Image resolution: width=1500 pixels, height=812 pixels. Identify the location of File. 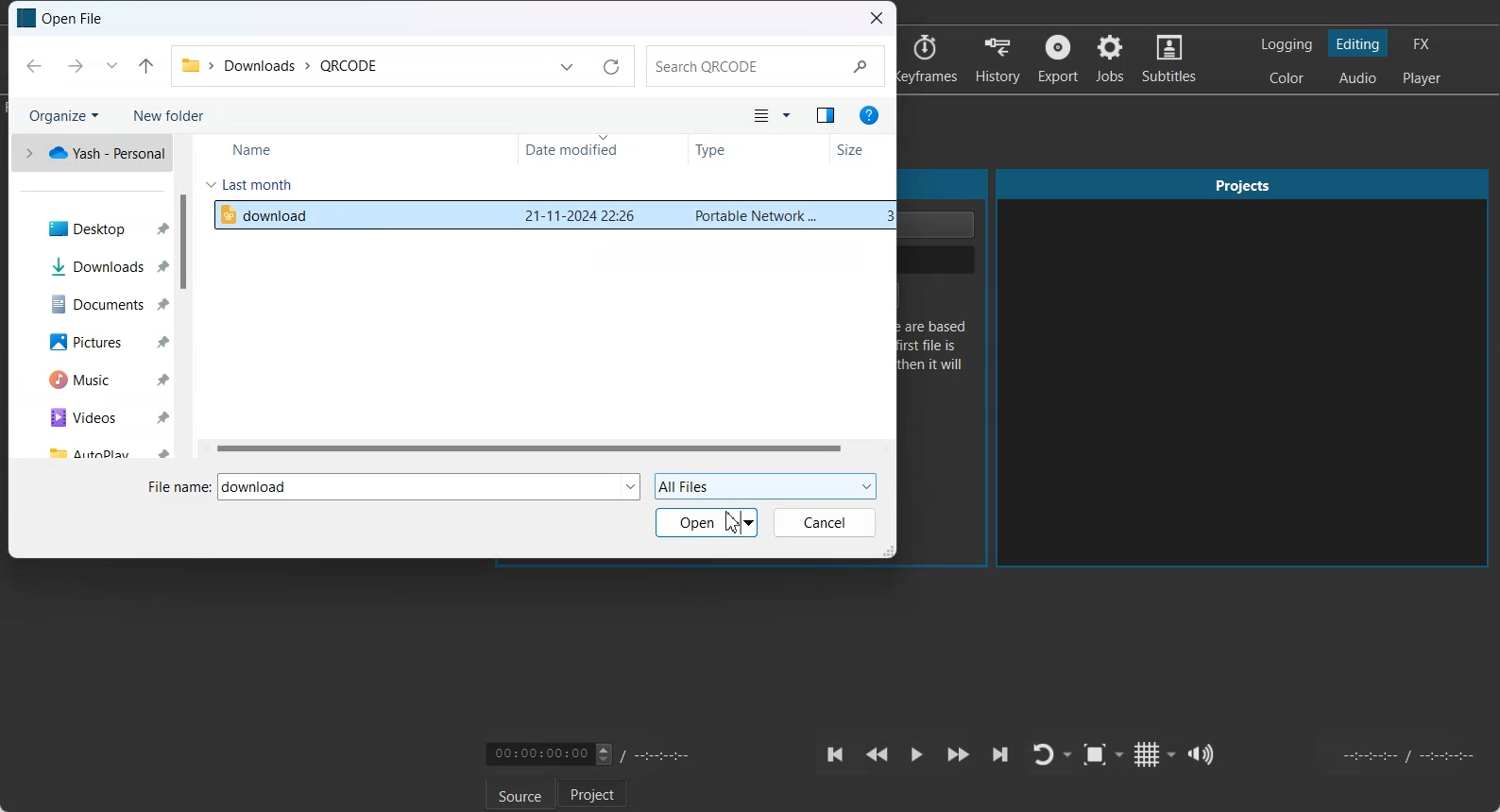
(265, 213).